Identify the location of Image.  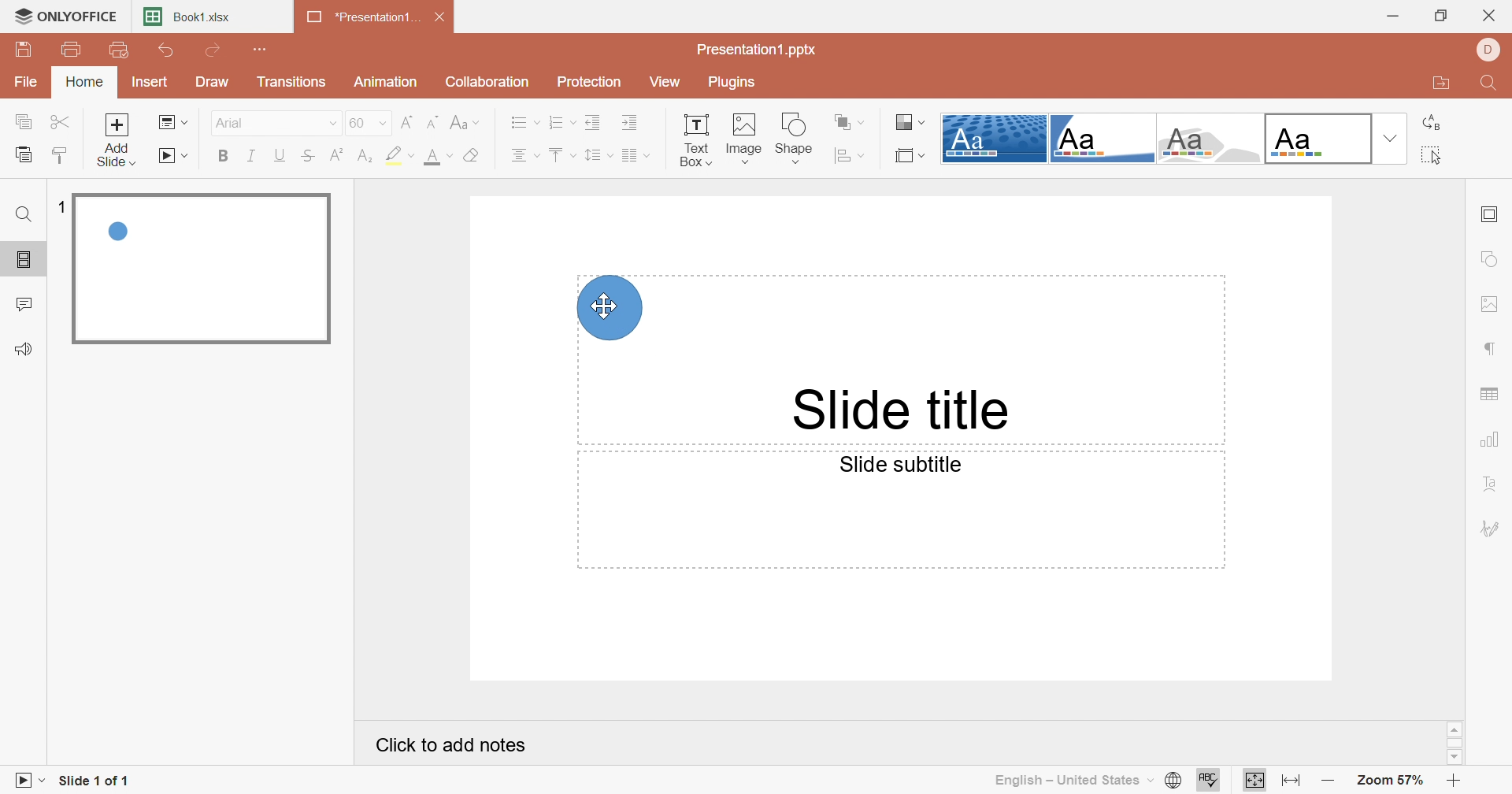
(741, 139).